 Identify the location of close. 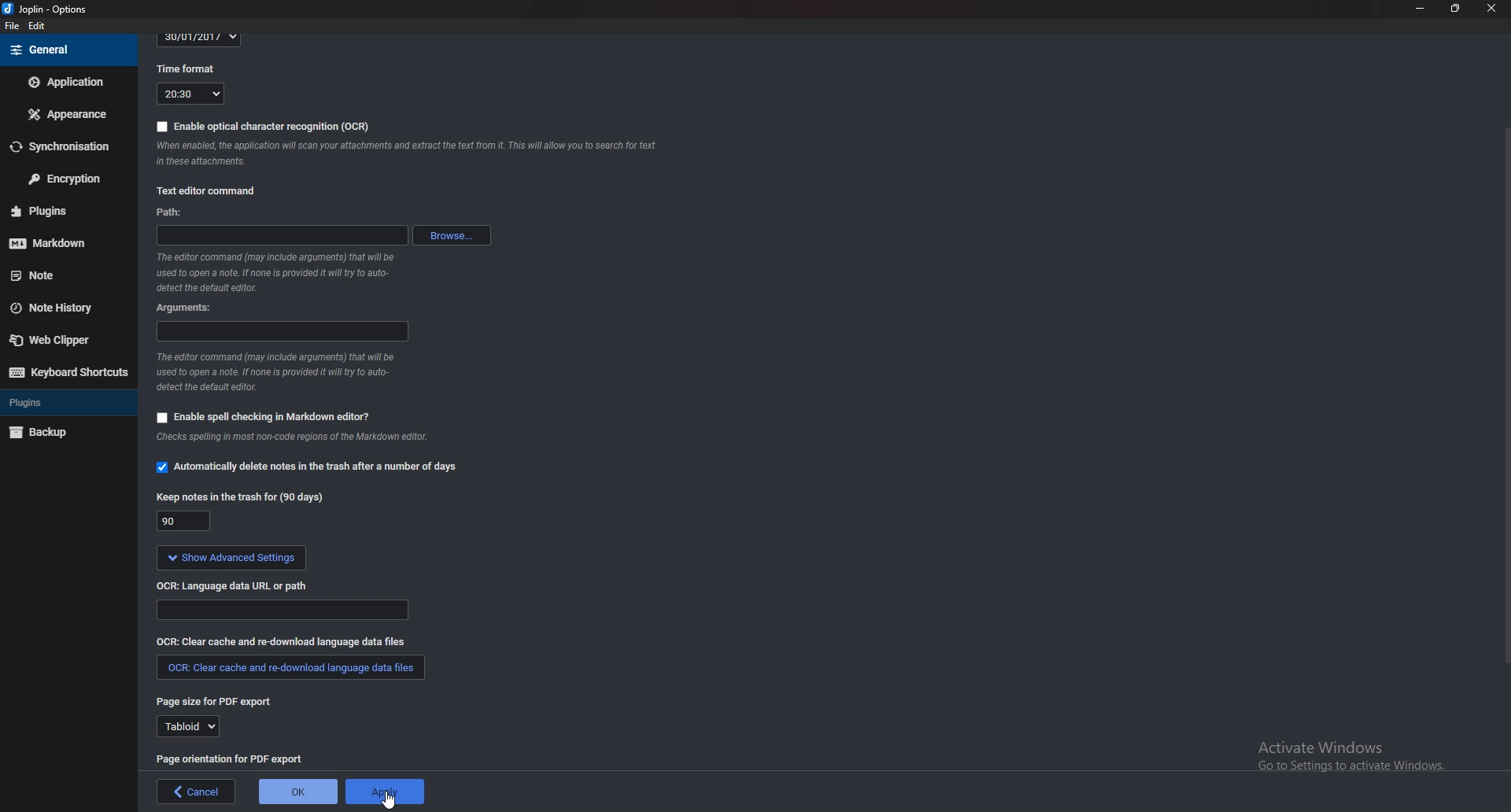
(1490, 9).